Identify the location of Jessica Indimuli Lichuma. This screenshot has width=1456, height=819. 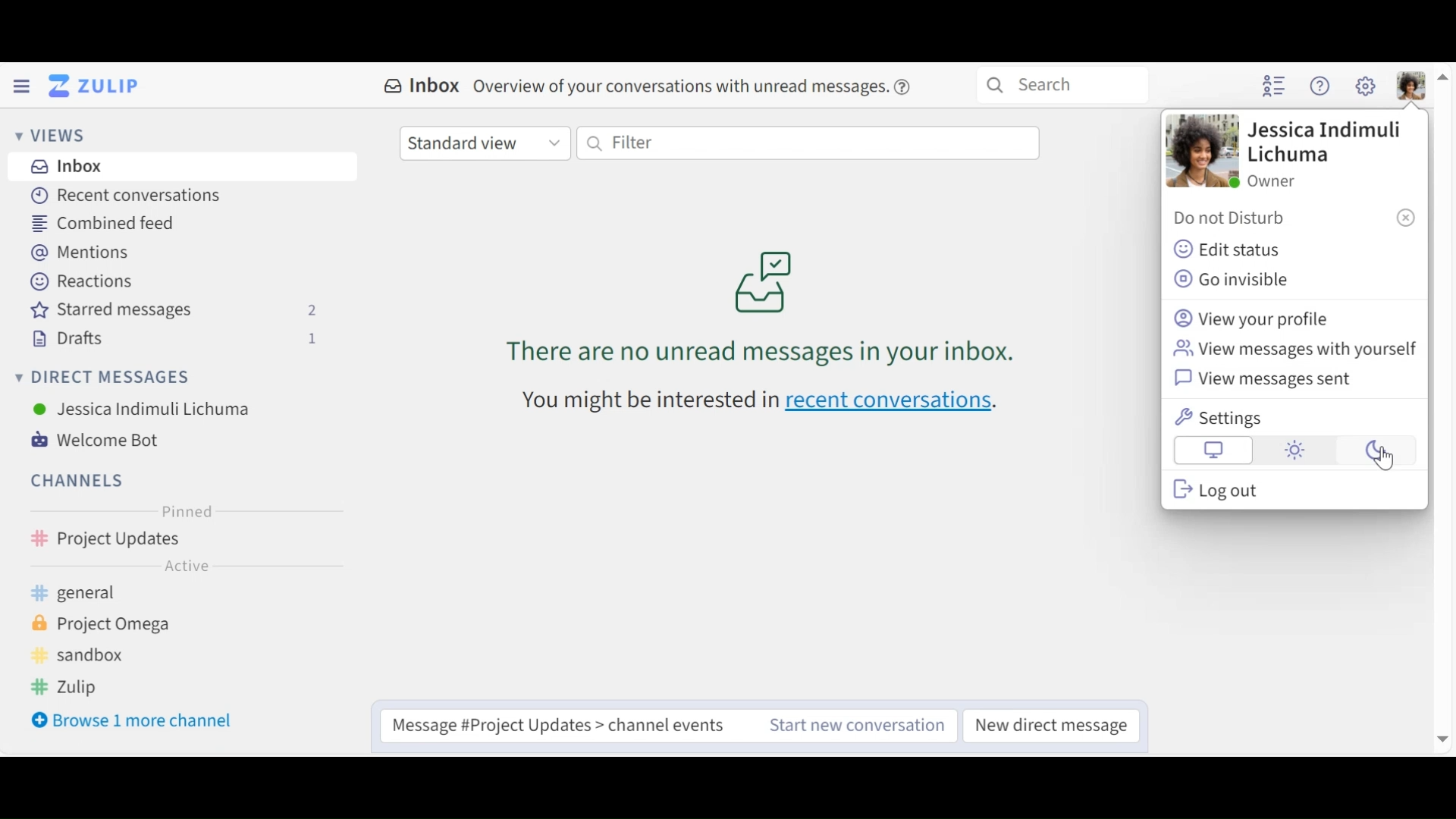
(143, 409).